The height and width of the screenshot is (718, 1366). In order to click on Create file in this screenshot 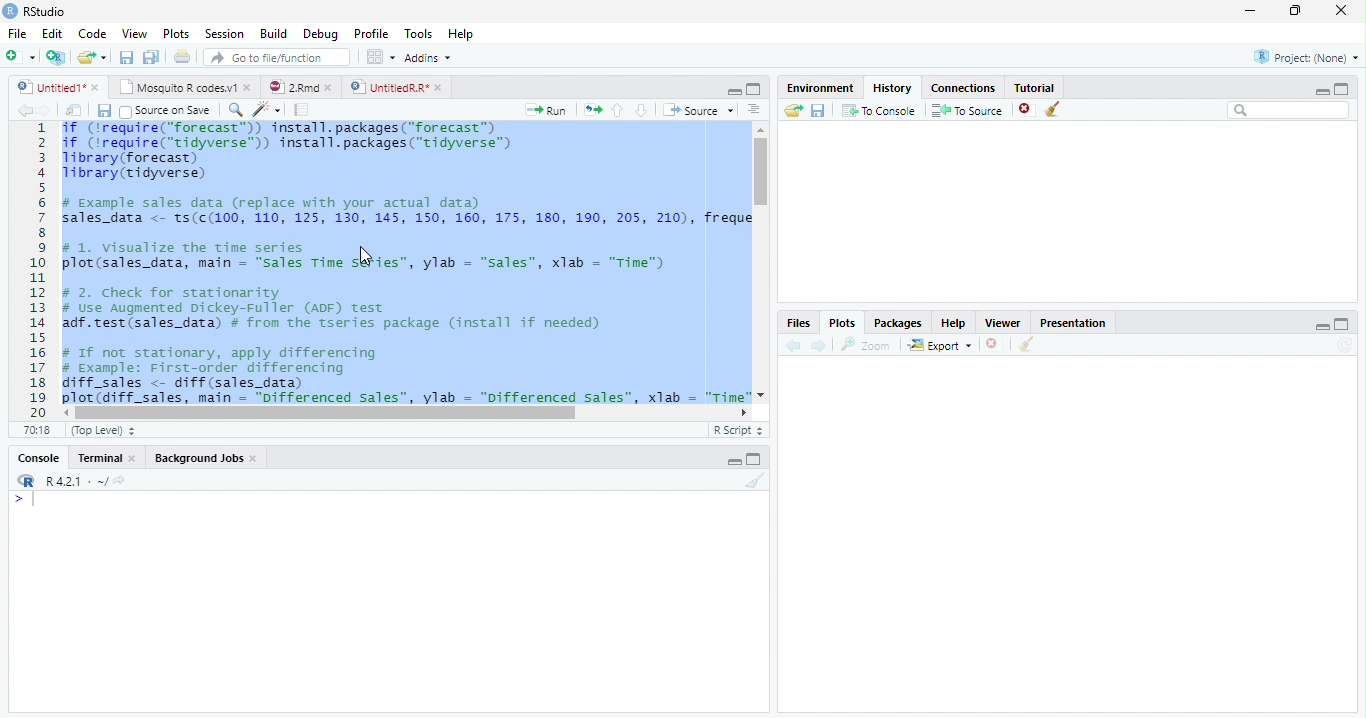, I will do `click(21, 58)`.